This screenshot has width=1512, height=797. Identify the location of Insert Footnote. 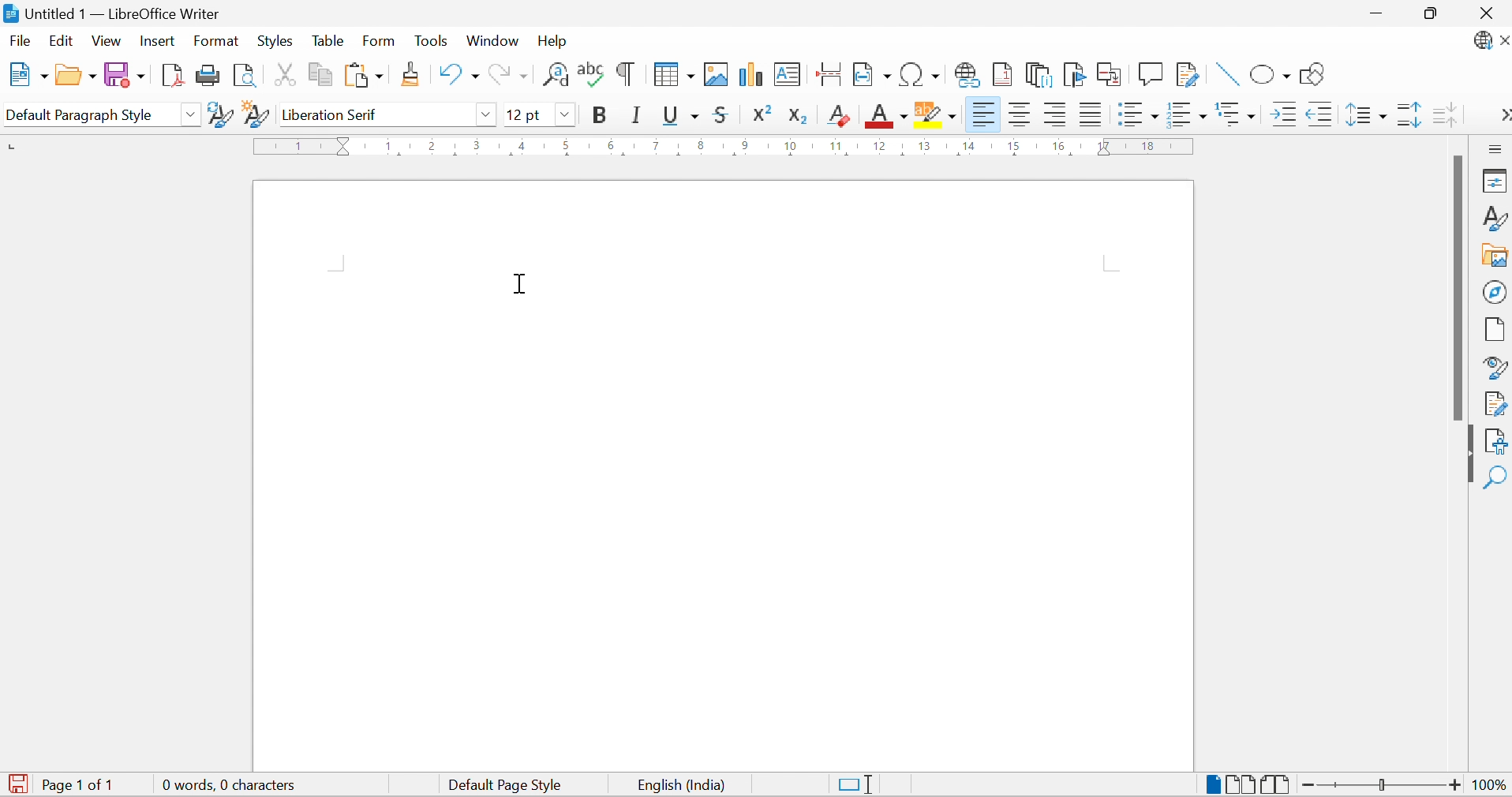
(1001, 75).